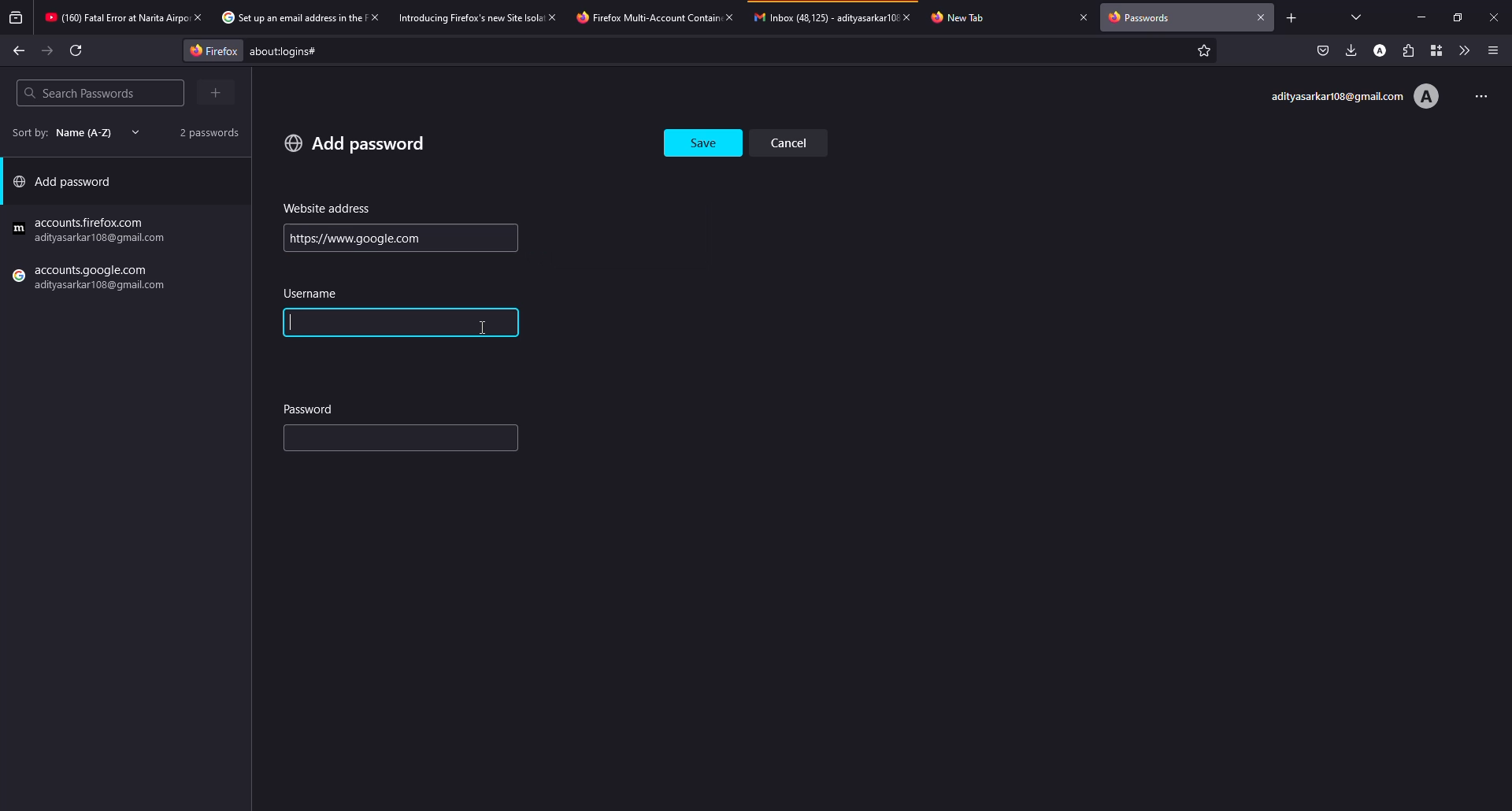 The image size is (1512, 811). What do you see at coordinates (1084, 17) in the screenshot?
I see `close` at bounding box center [1084, 17].